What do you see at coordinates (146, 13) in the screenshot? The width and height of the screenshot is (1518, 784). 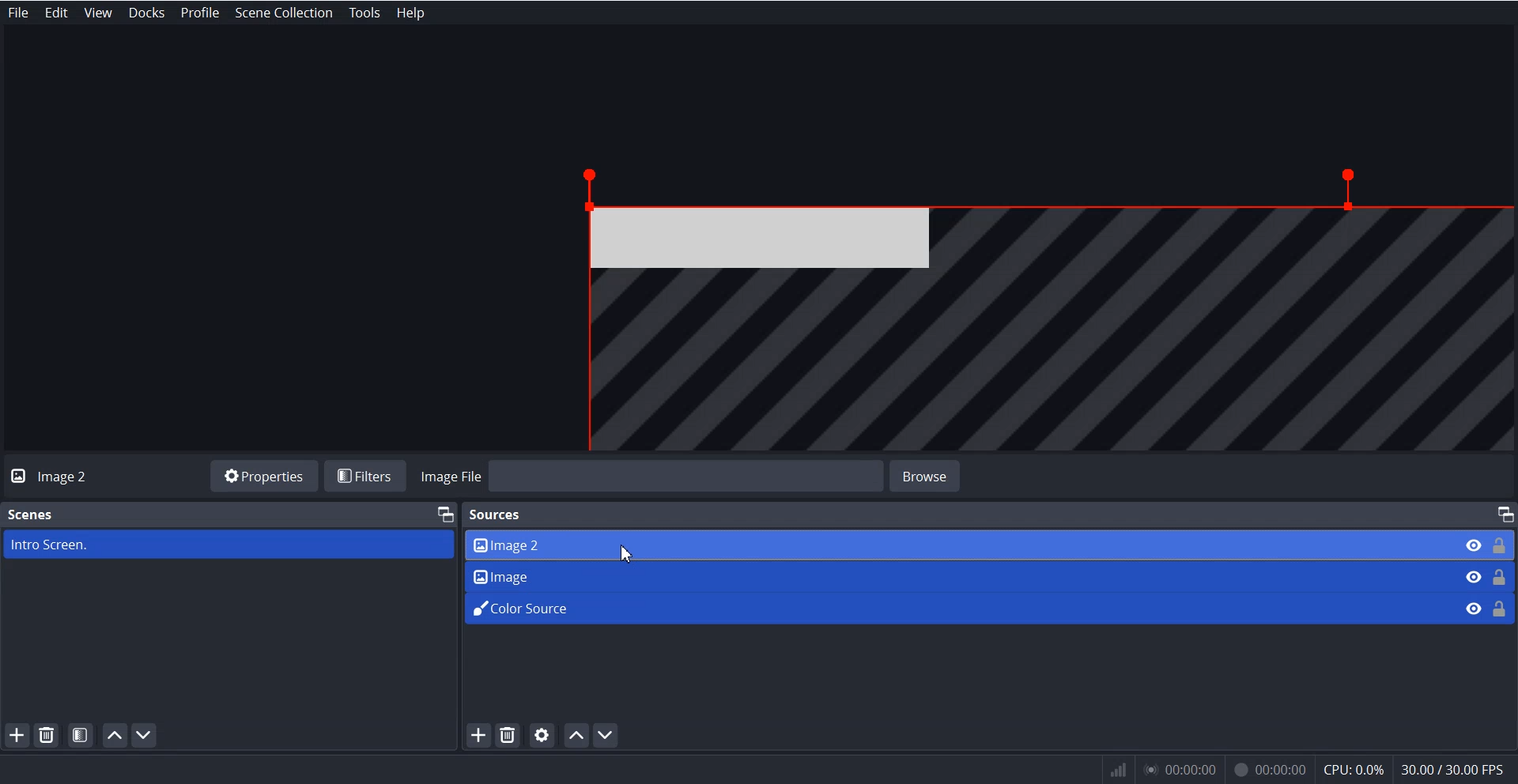 I see `Docks` at bounding box center [146, 13].